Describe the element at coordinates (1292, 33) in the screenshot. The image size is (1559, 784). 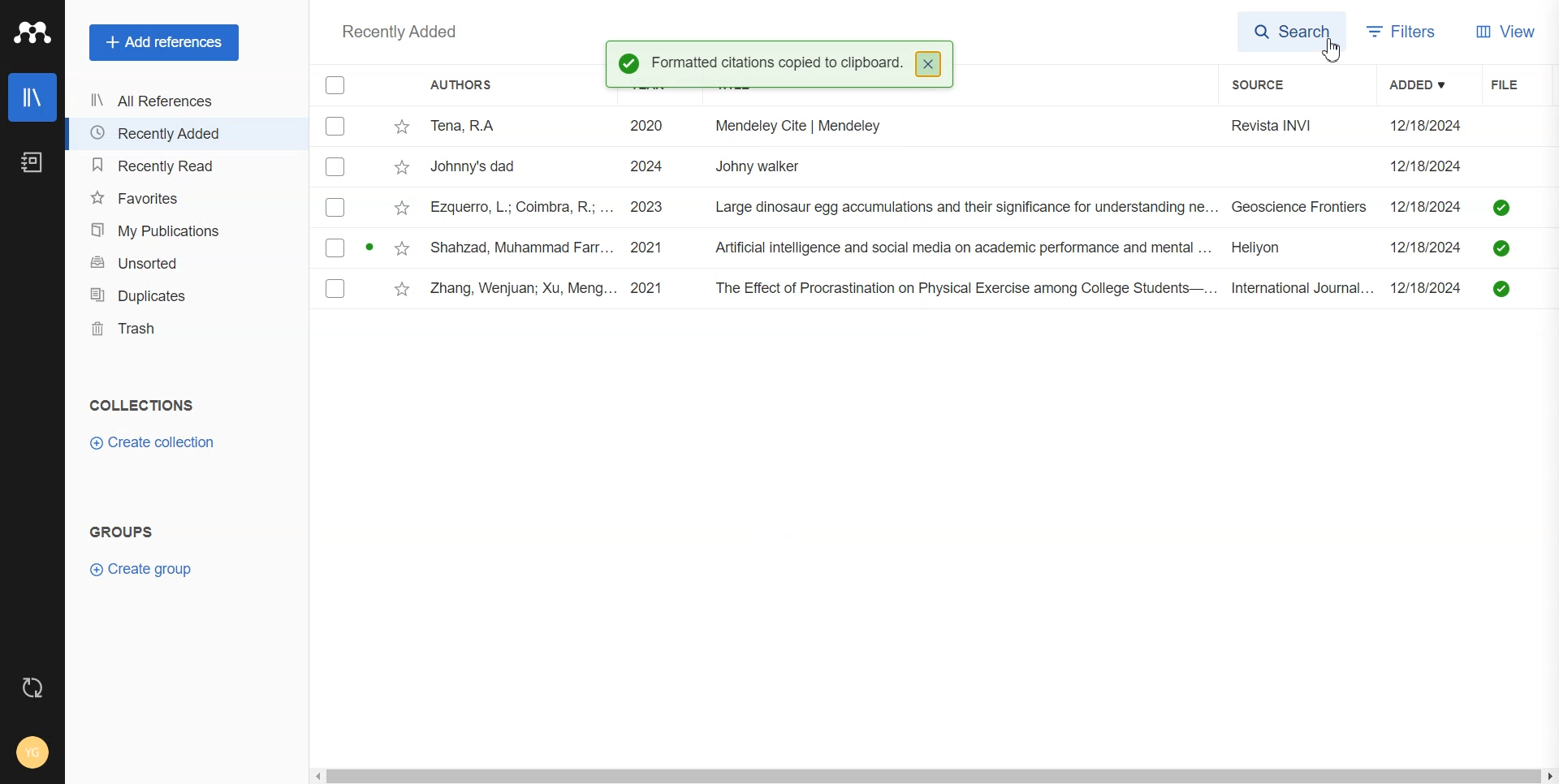
I see `Search` at that location.